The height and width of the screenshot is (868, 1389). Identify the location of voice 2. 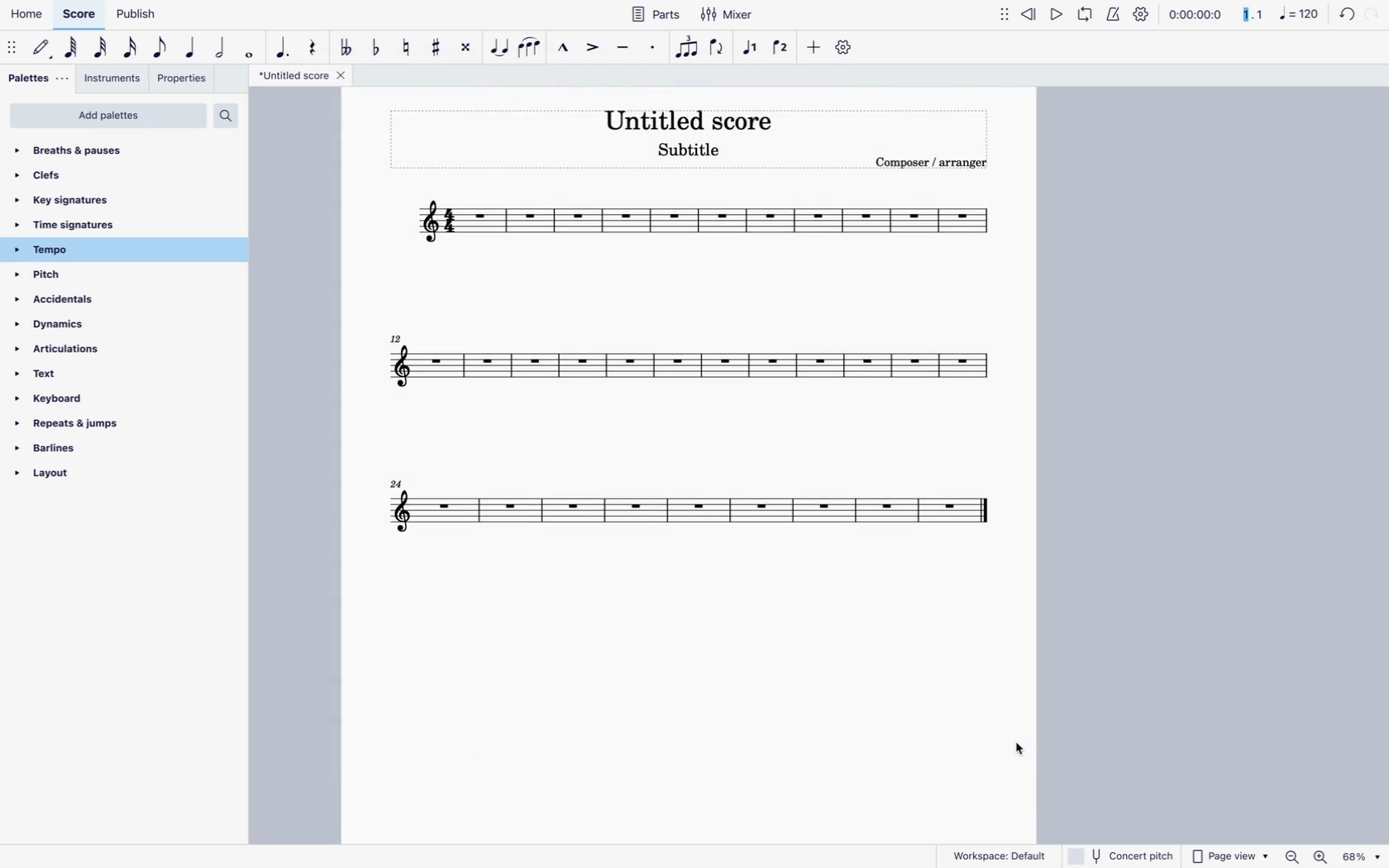
(782, 48).